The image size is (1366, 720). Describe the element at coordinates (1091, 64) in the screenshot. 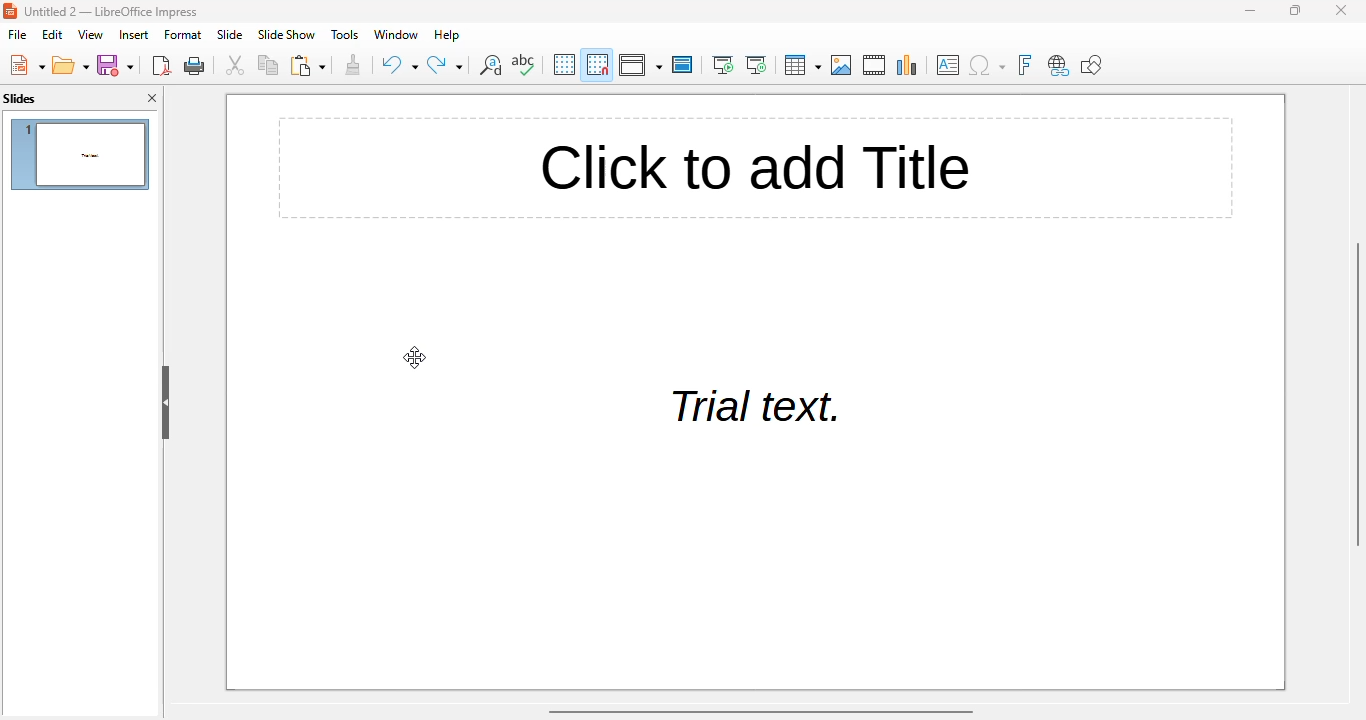

I see `show draw functions` at that location.